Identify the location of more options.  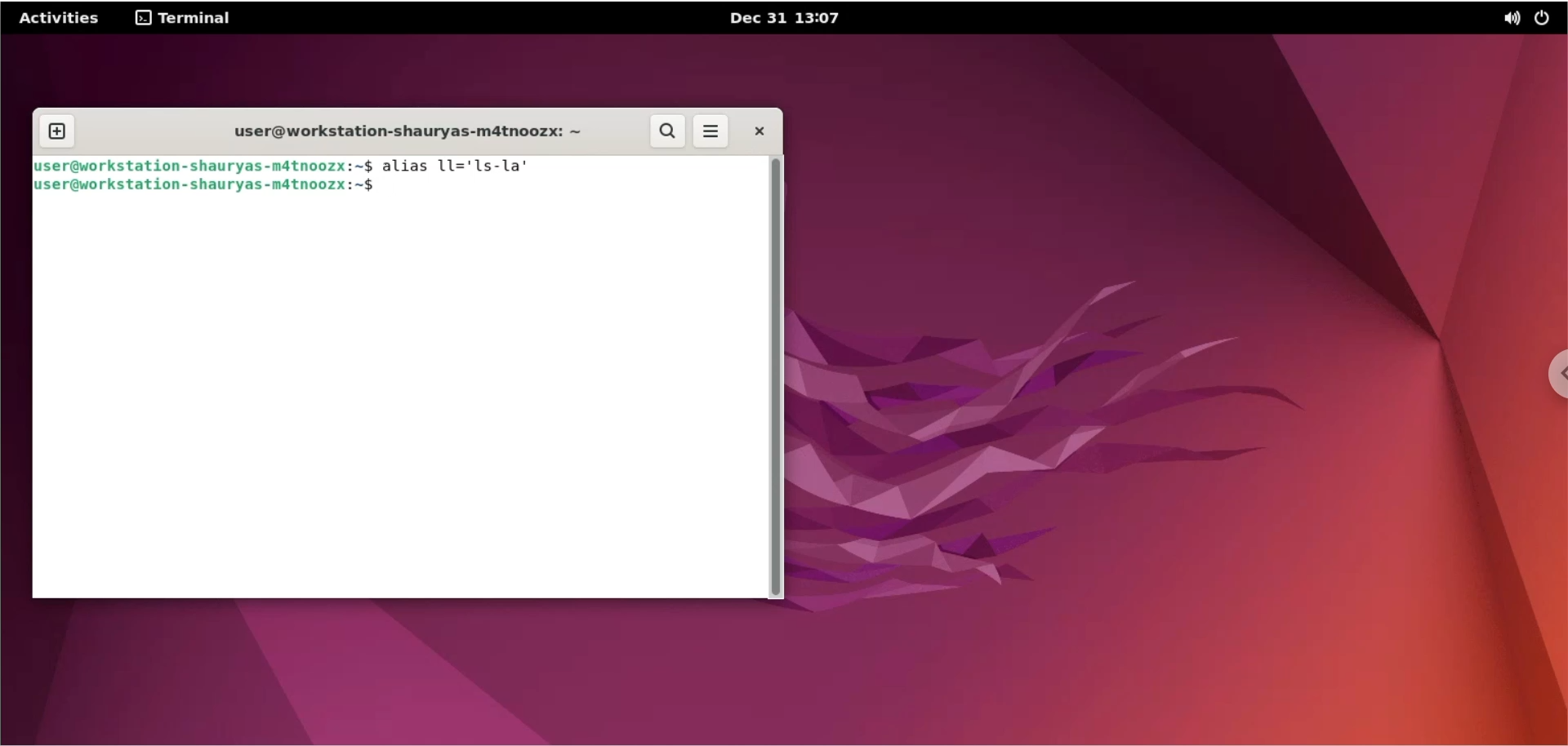
(709, 132).